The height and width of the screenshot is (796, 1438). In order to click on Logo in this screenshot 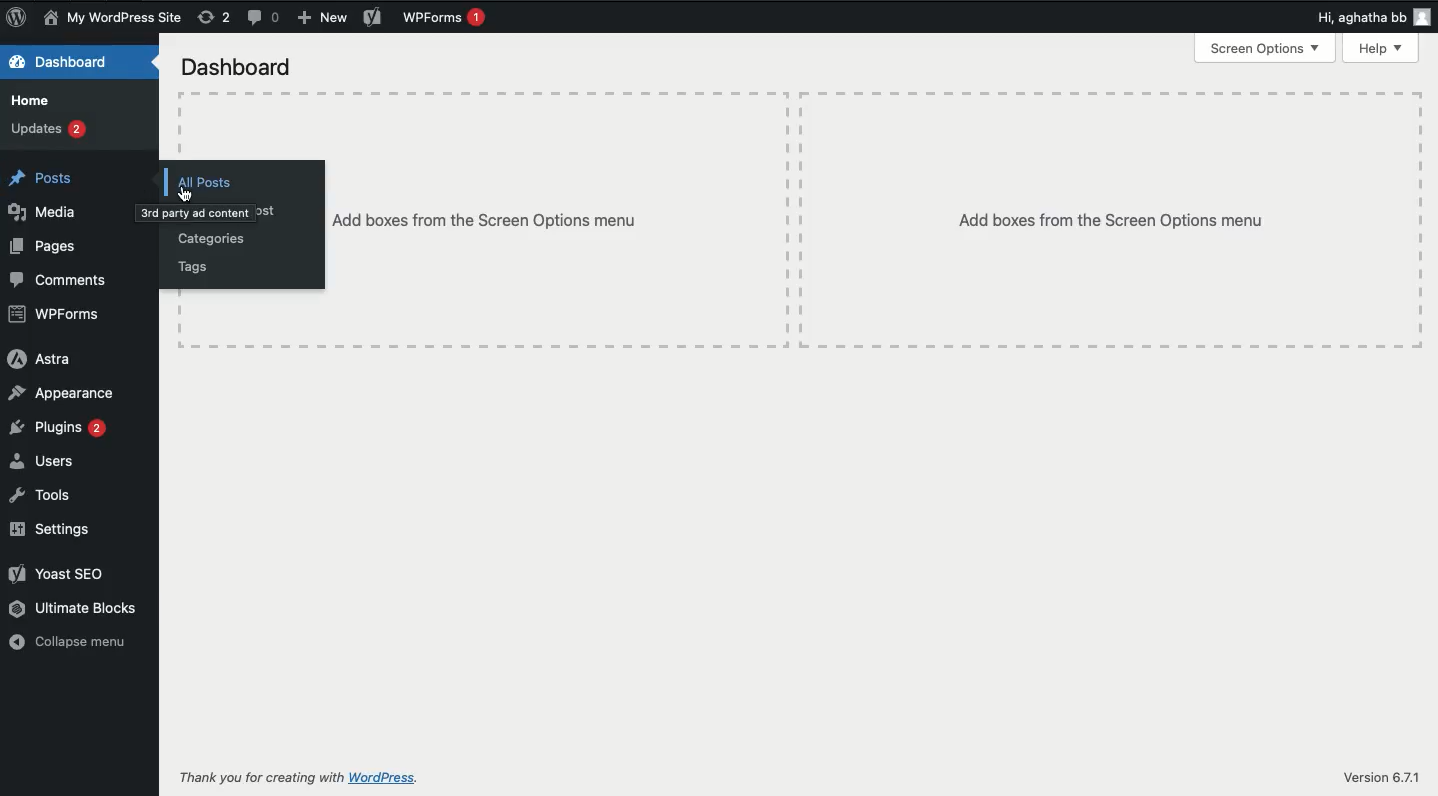, I will do `click(14, 18)`.